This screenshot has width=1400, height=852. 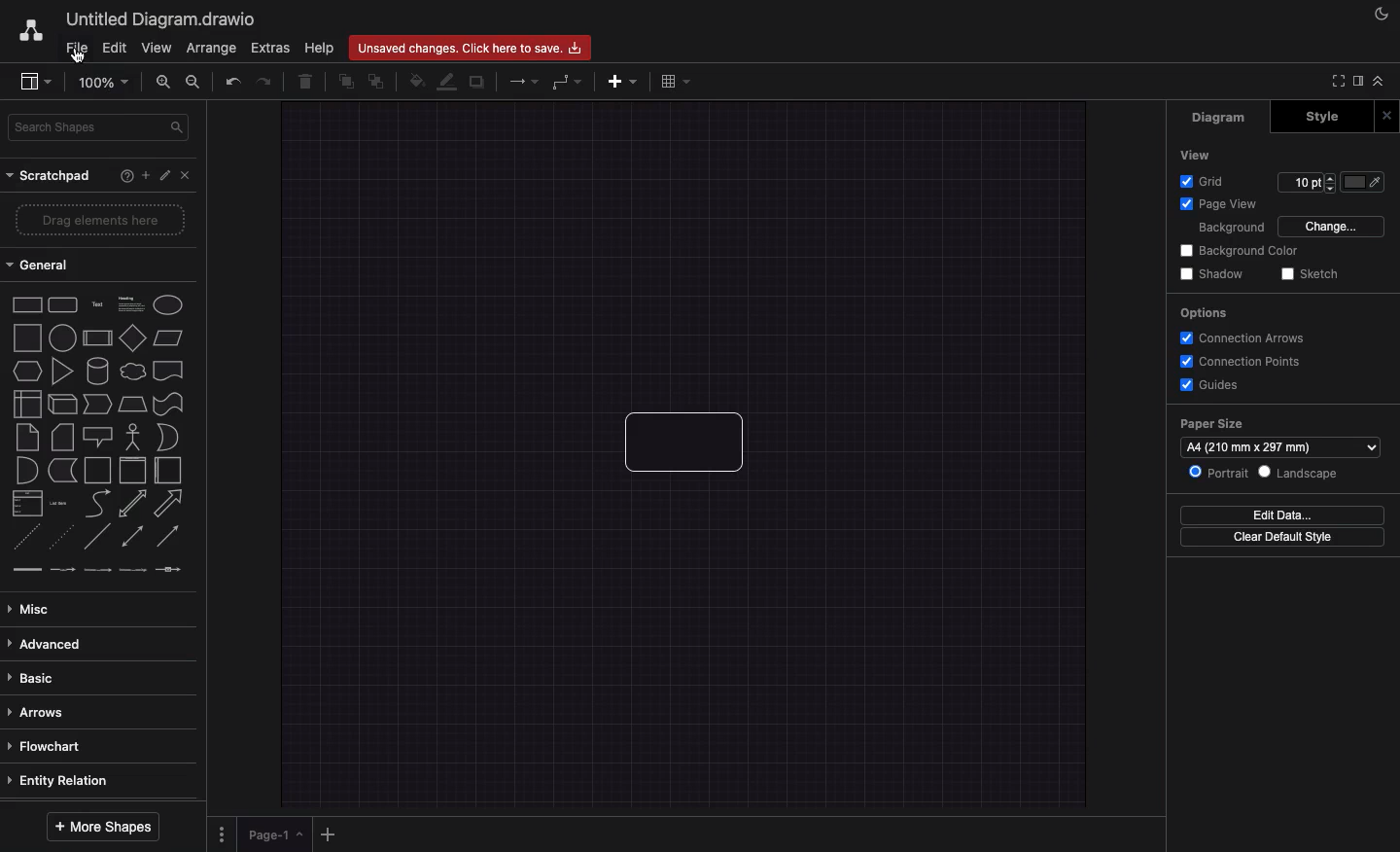 I want to click on Page view, so click(x=1220, y=205).